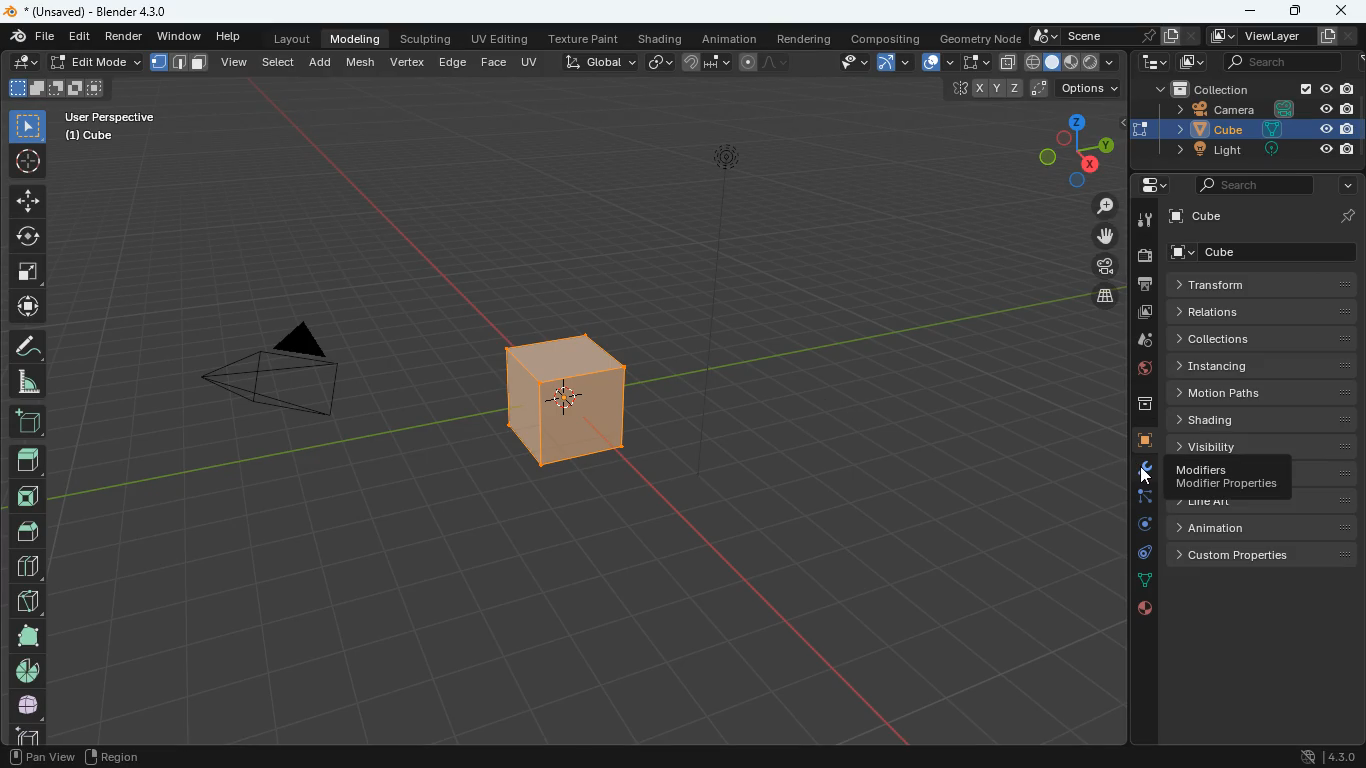 This screenshot has height=768, width=1366. I want to click on select, so click(975, 63).